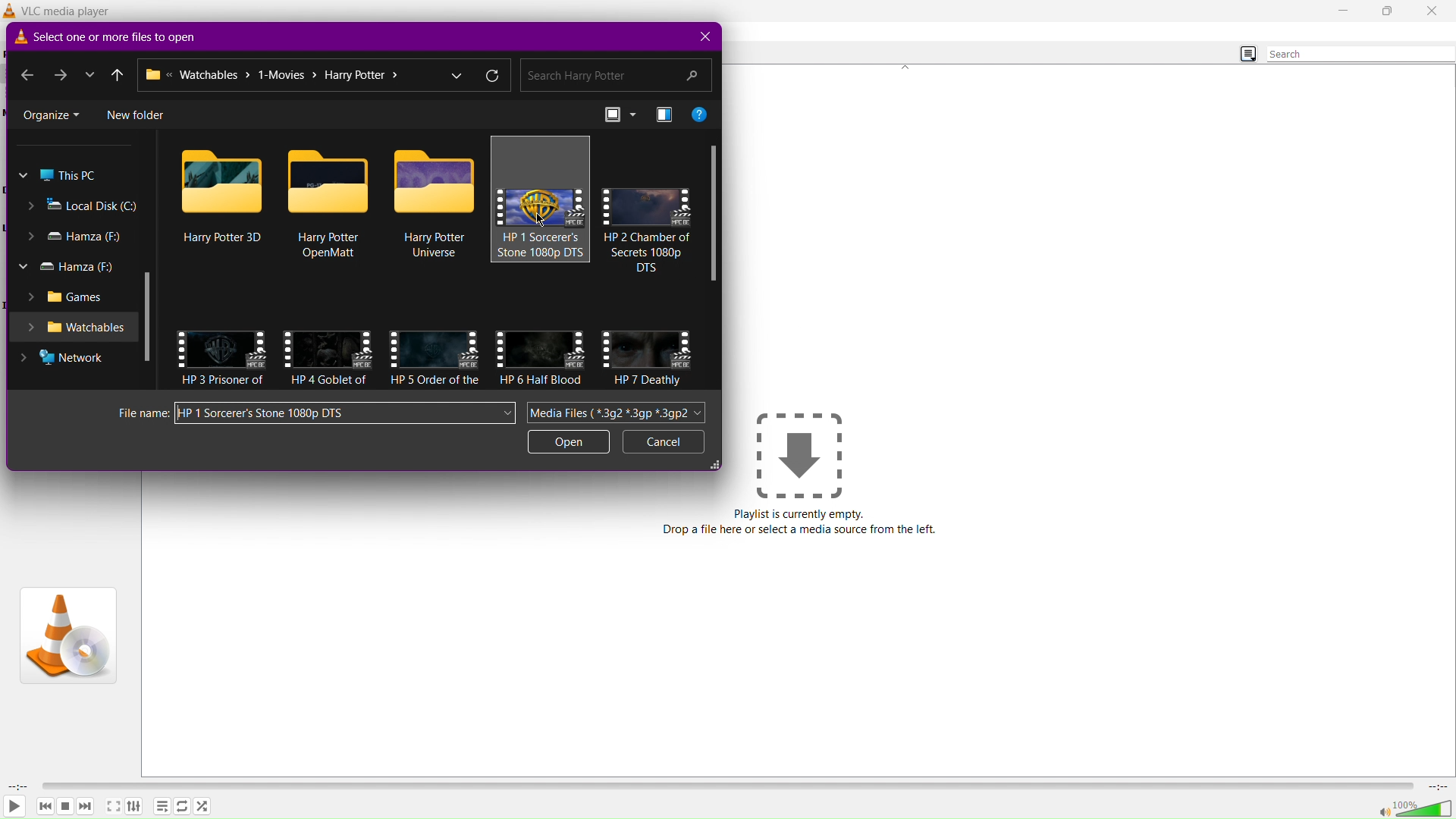 The height and width of the screenshot is (819, 1456). I want to click on video file, so click(222, 180).